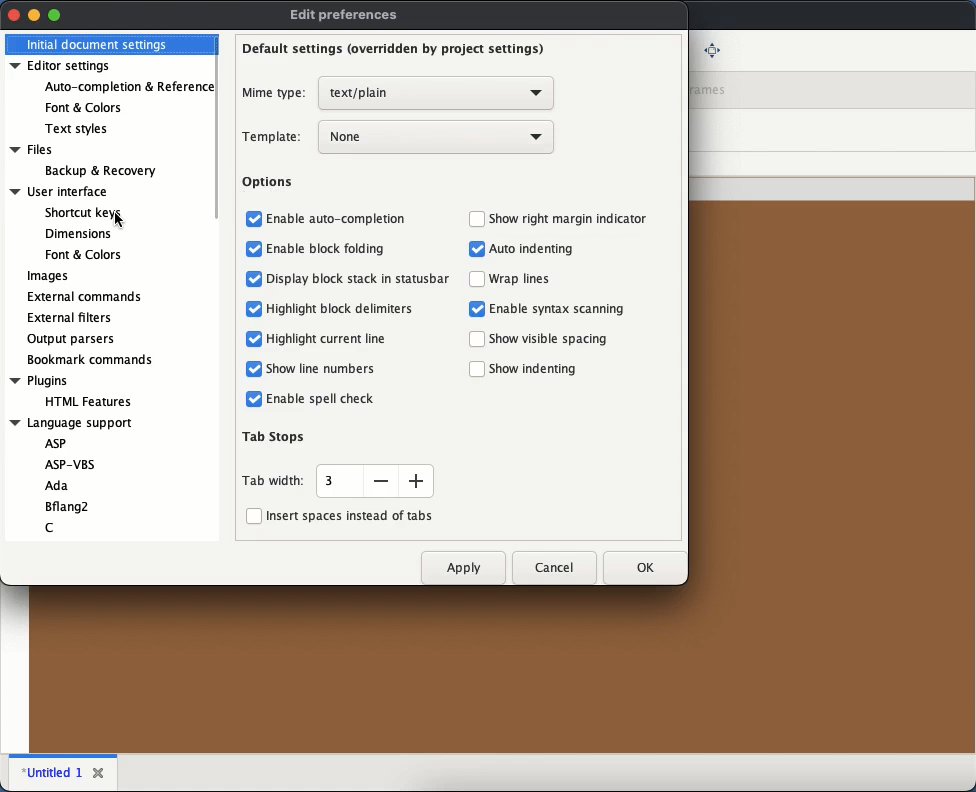 Image resolution: width=976 pixels, height=792 pixels. I want to click on Show indenting, so click(537, 368).